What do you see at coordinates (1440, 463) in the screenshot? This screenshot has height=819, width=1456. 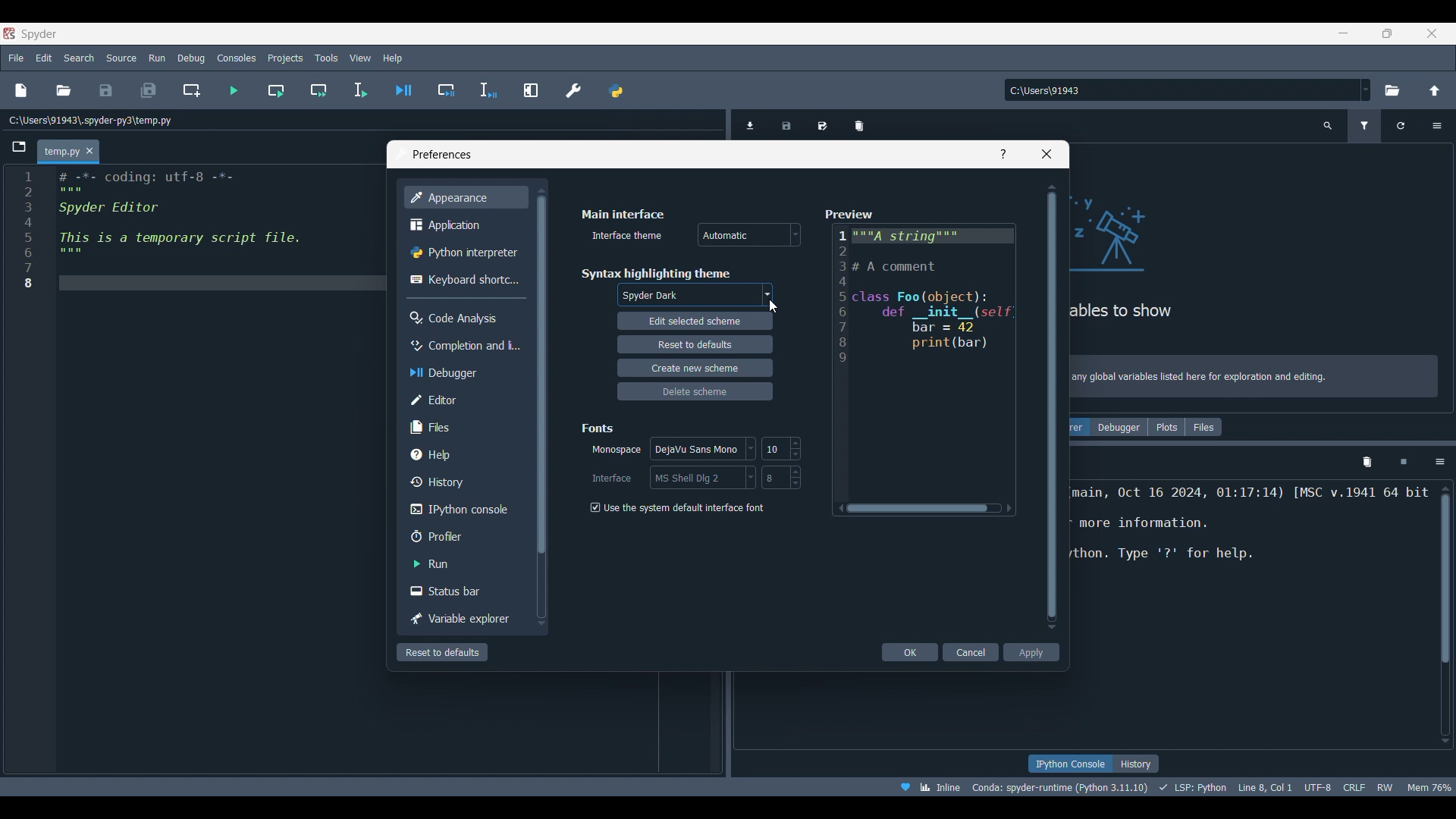 I see `Options` at bounding box center [1440, 463].